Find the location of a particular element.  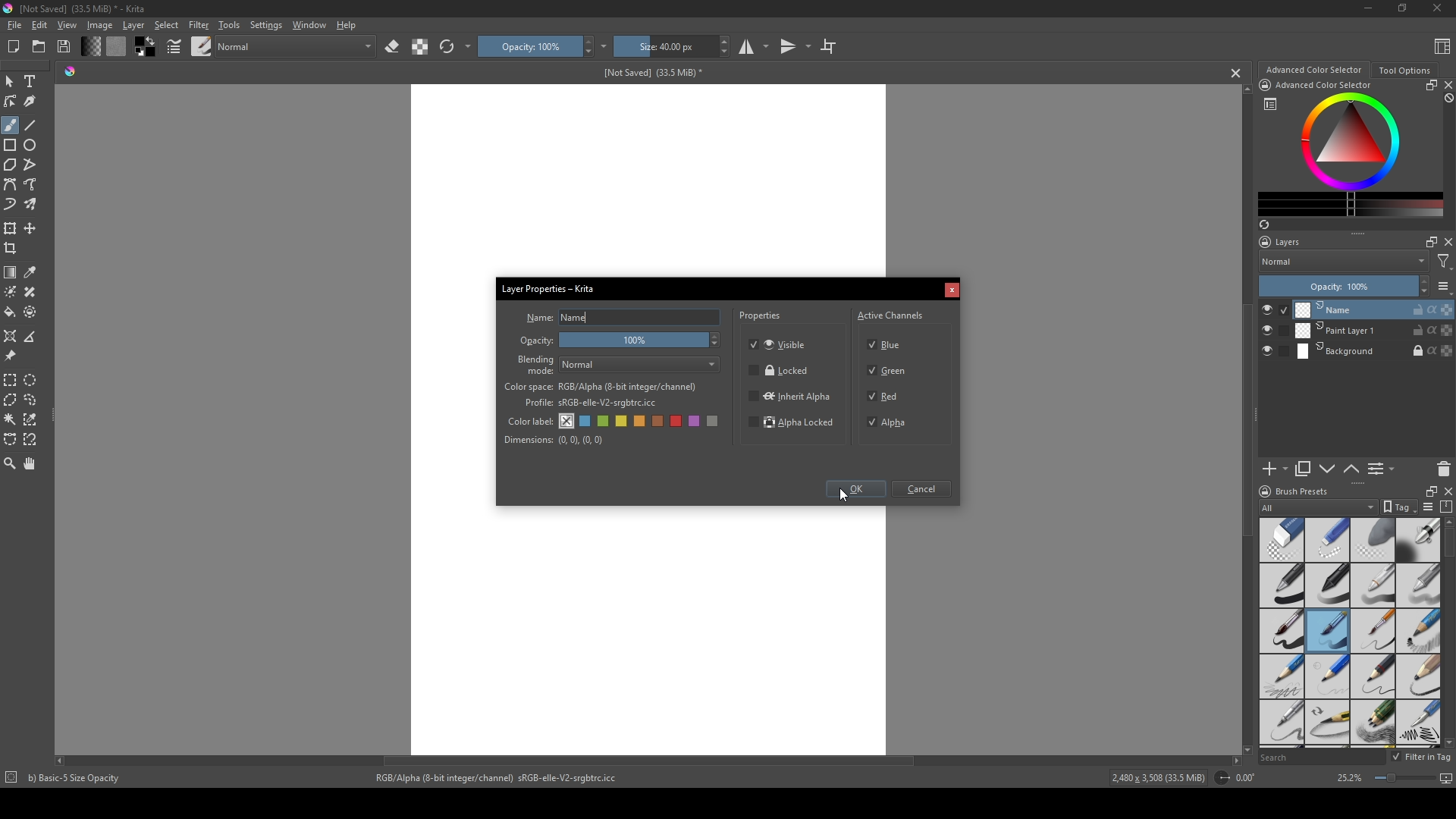

icon is located at coordinates (1221, 778).